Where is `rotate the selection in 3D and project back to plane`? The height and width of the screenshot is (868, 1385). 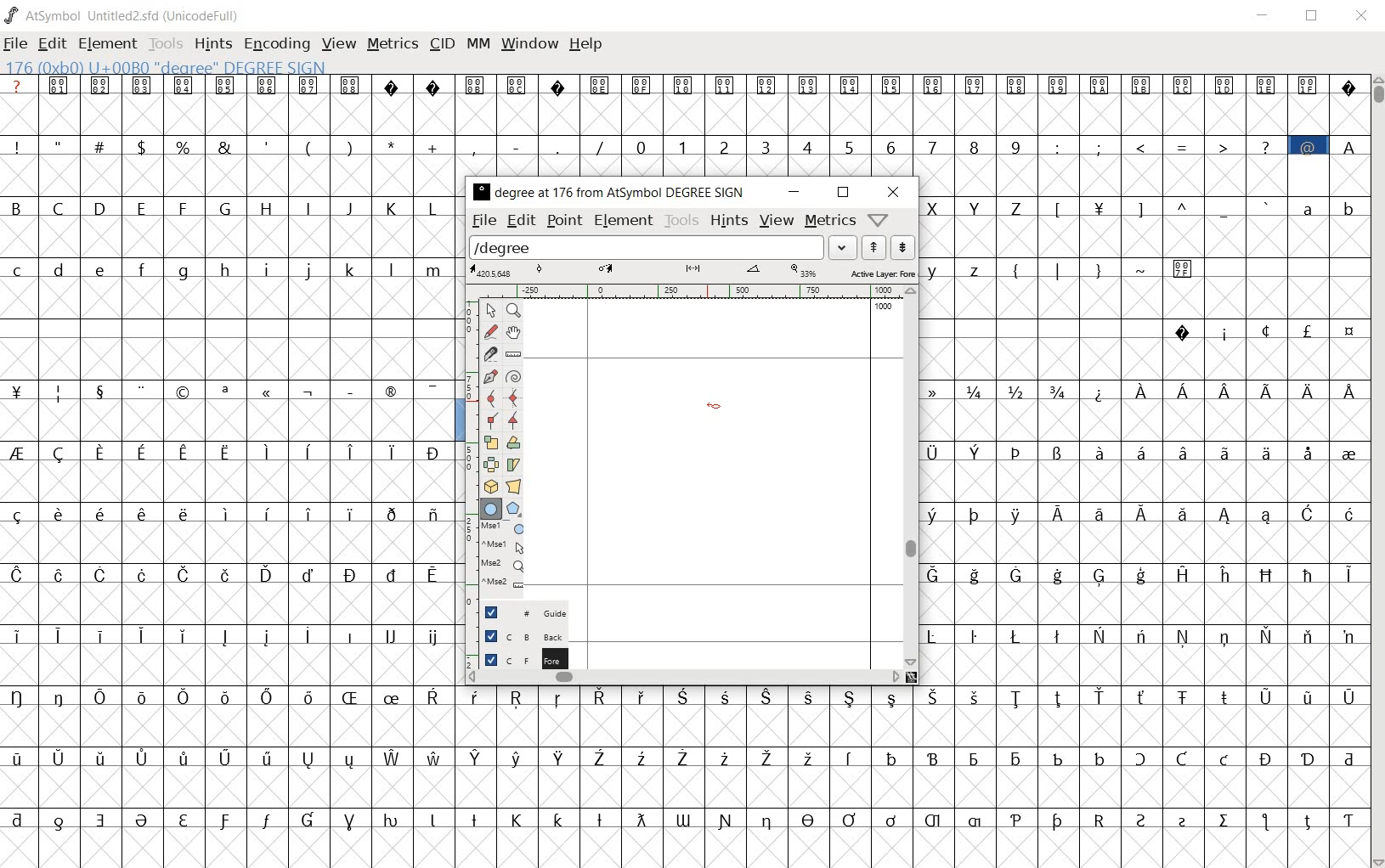 rotate the selection in 3D and project back to plane is located at coordinates (488, 487).